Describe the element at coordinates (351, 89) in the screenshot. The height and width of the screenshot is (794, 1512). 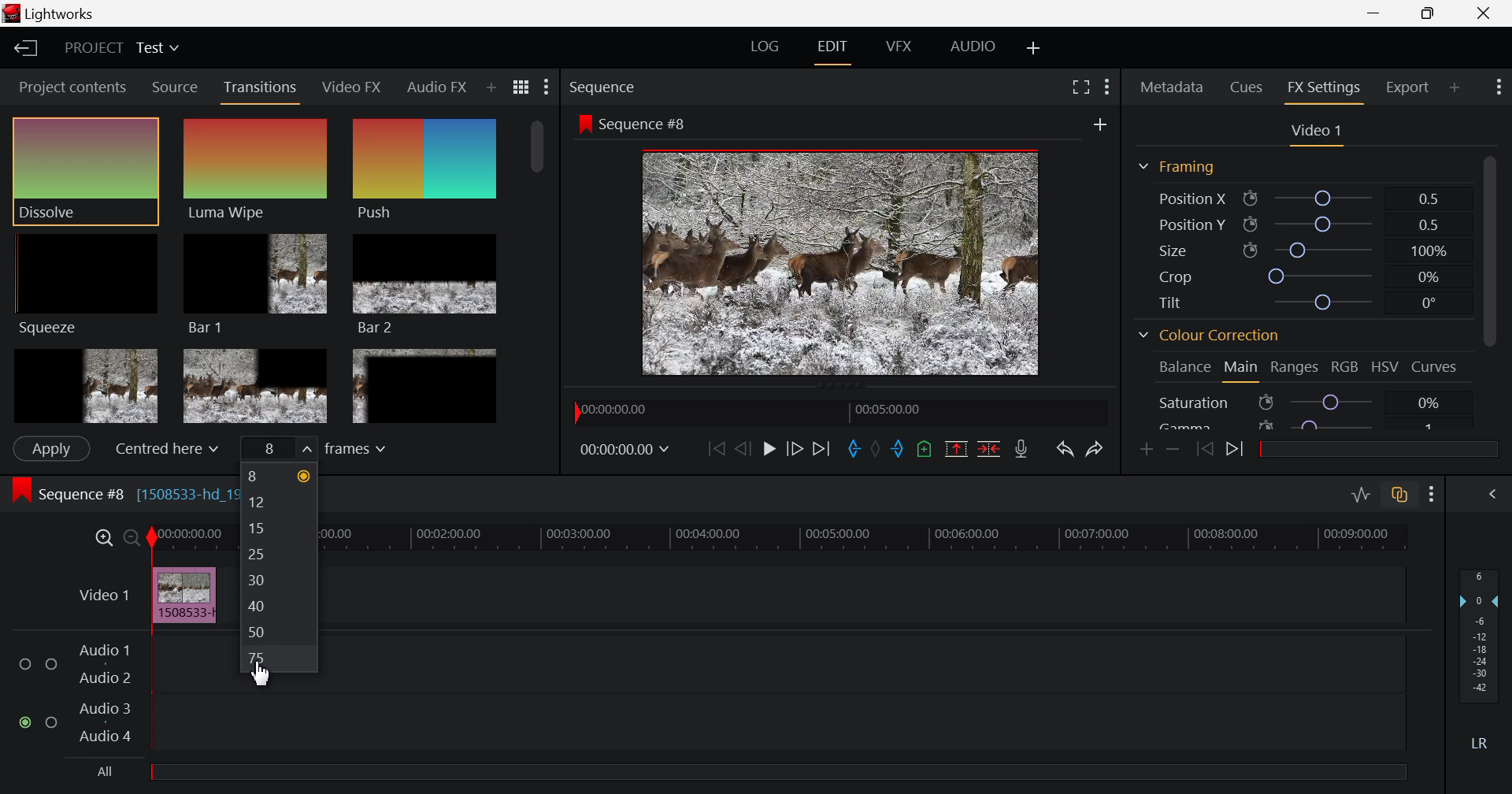
I see `Video FX` at that location.